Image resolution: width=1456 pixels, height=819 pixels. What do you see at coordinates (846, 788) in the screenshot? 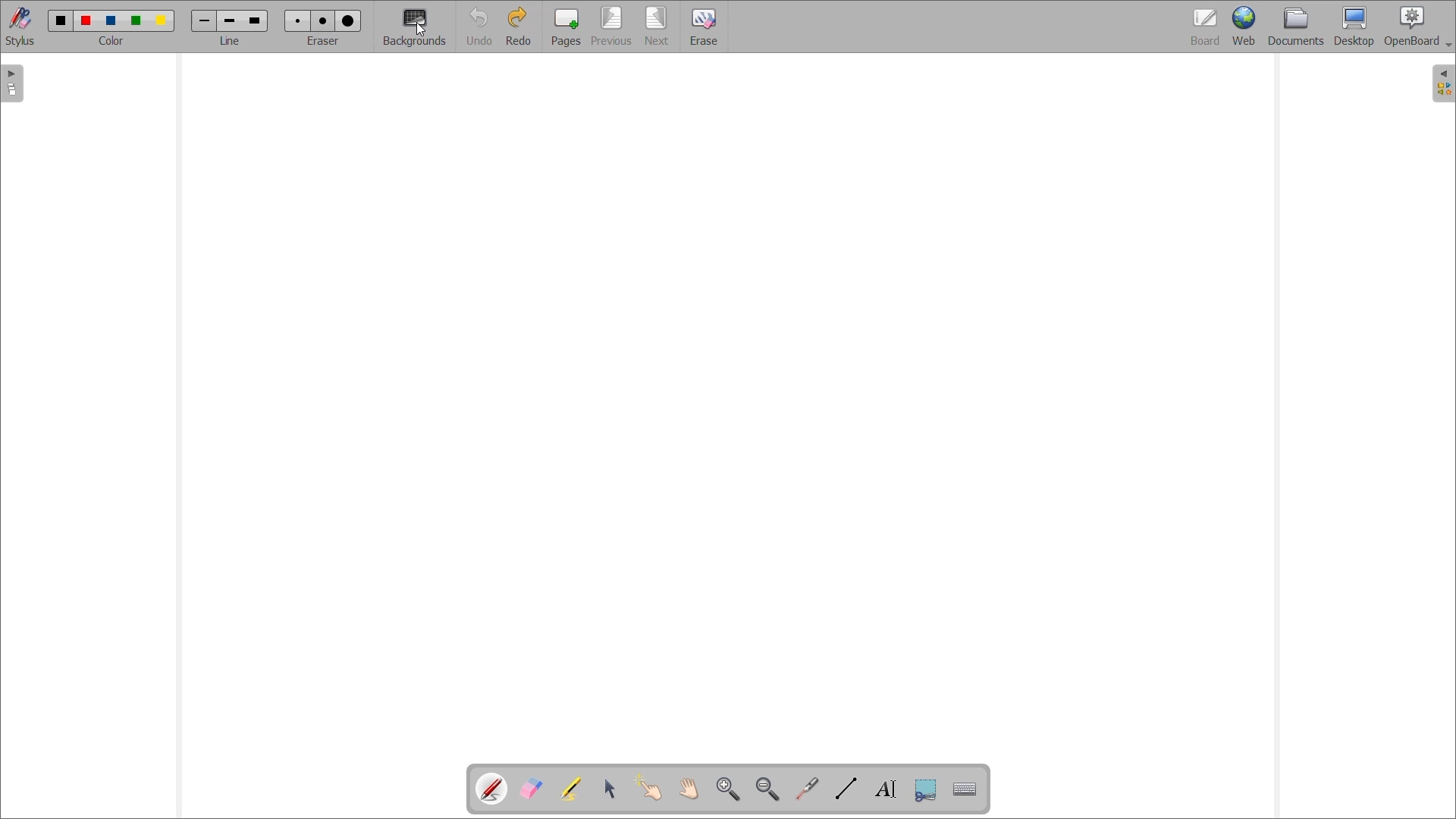
I see `Draw lines` at bounding box center [846, 788].